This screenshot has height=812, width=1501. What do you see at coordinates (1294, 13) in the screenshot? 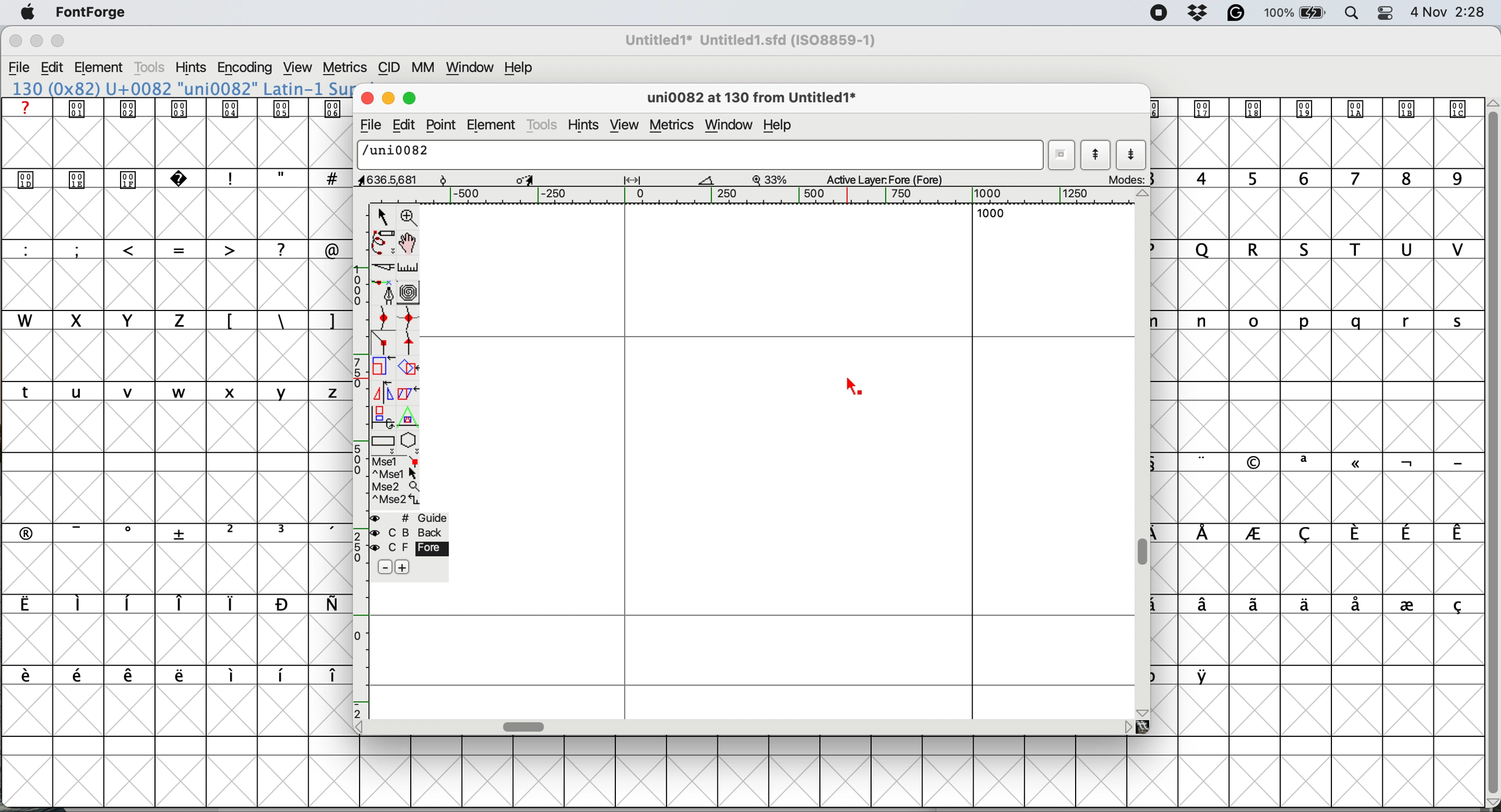
I see `battery` at bounding box center [1294, 13].